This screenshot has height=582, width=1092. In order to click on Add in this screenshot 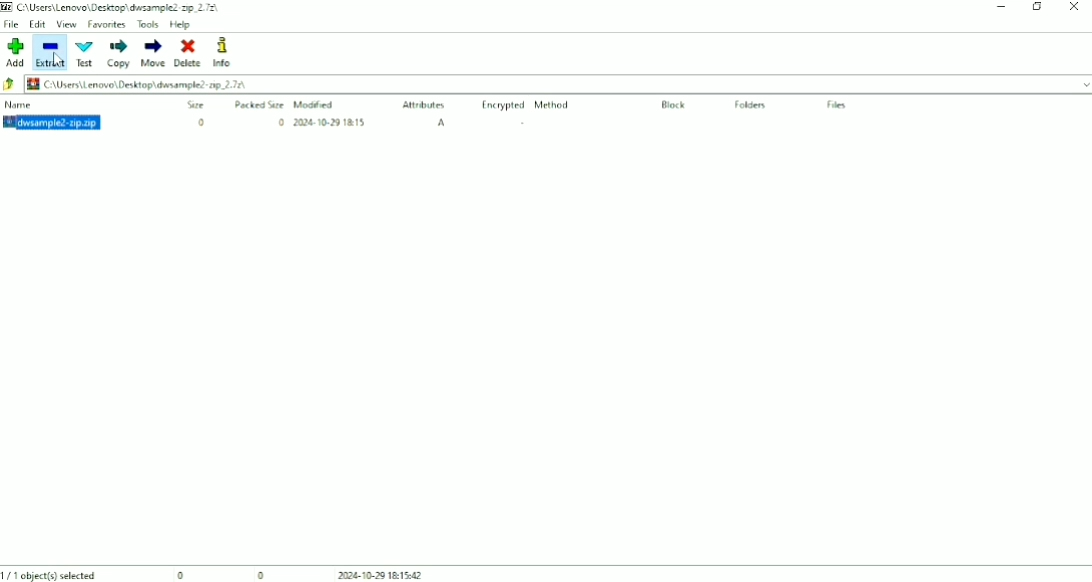, I will do `click(14, 52)`.